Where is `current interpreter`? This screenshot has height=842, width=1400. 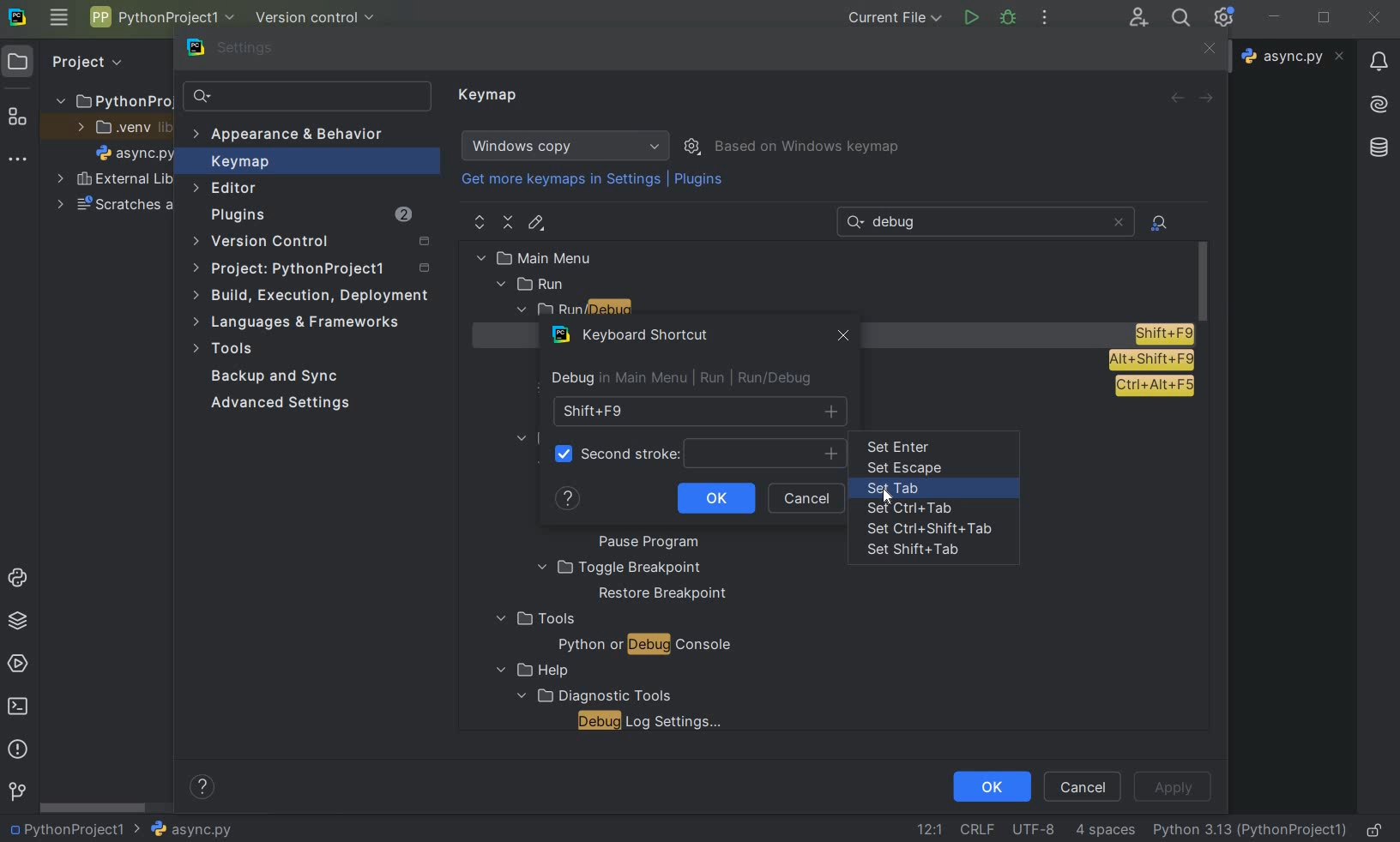
current interpreter is located at coordinates (1251, 829).